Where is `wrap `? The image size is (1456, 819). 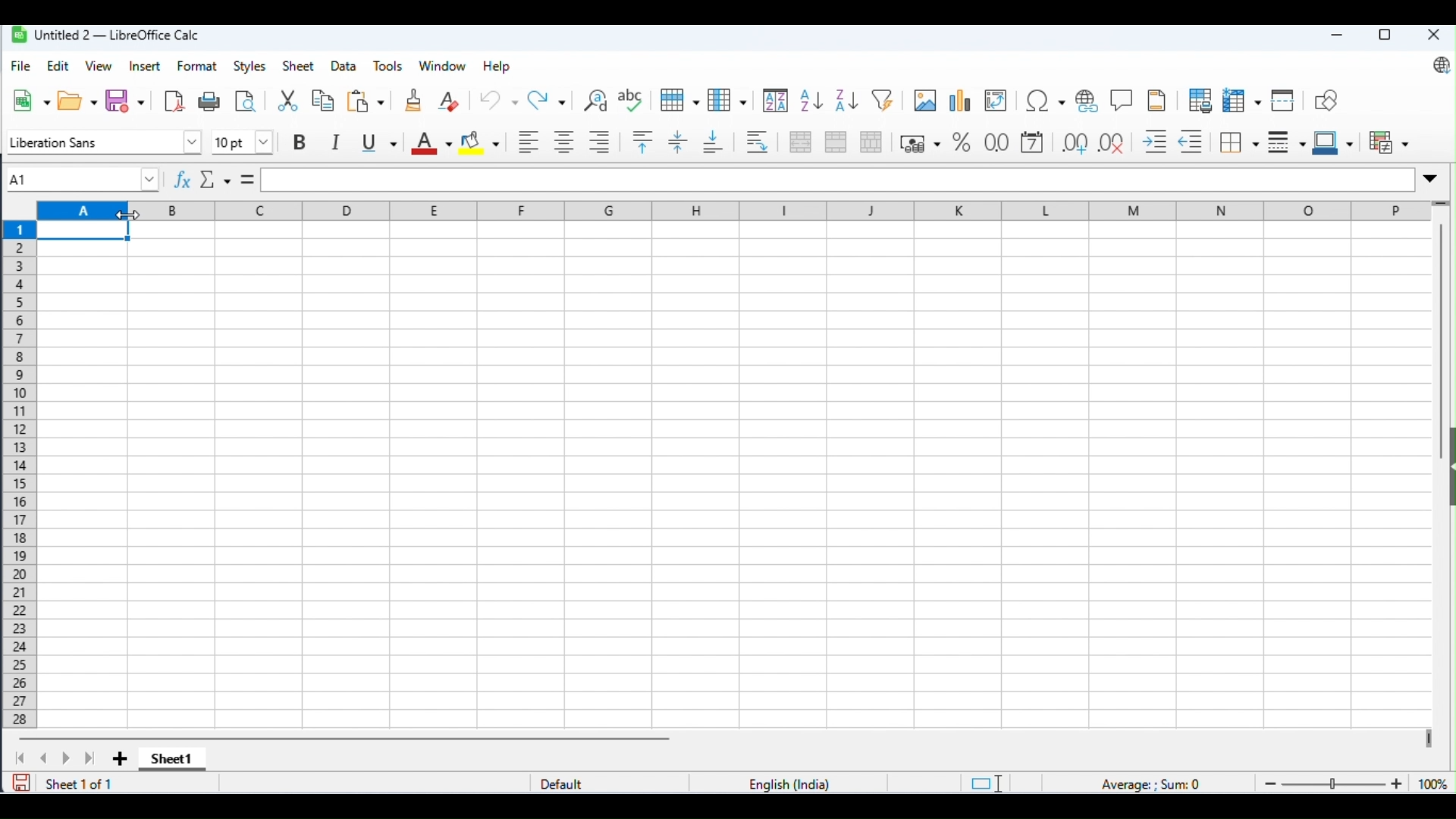 wrap  is located at coordinates (759, 142).